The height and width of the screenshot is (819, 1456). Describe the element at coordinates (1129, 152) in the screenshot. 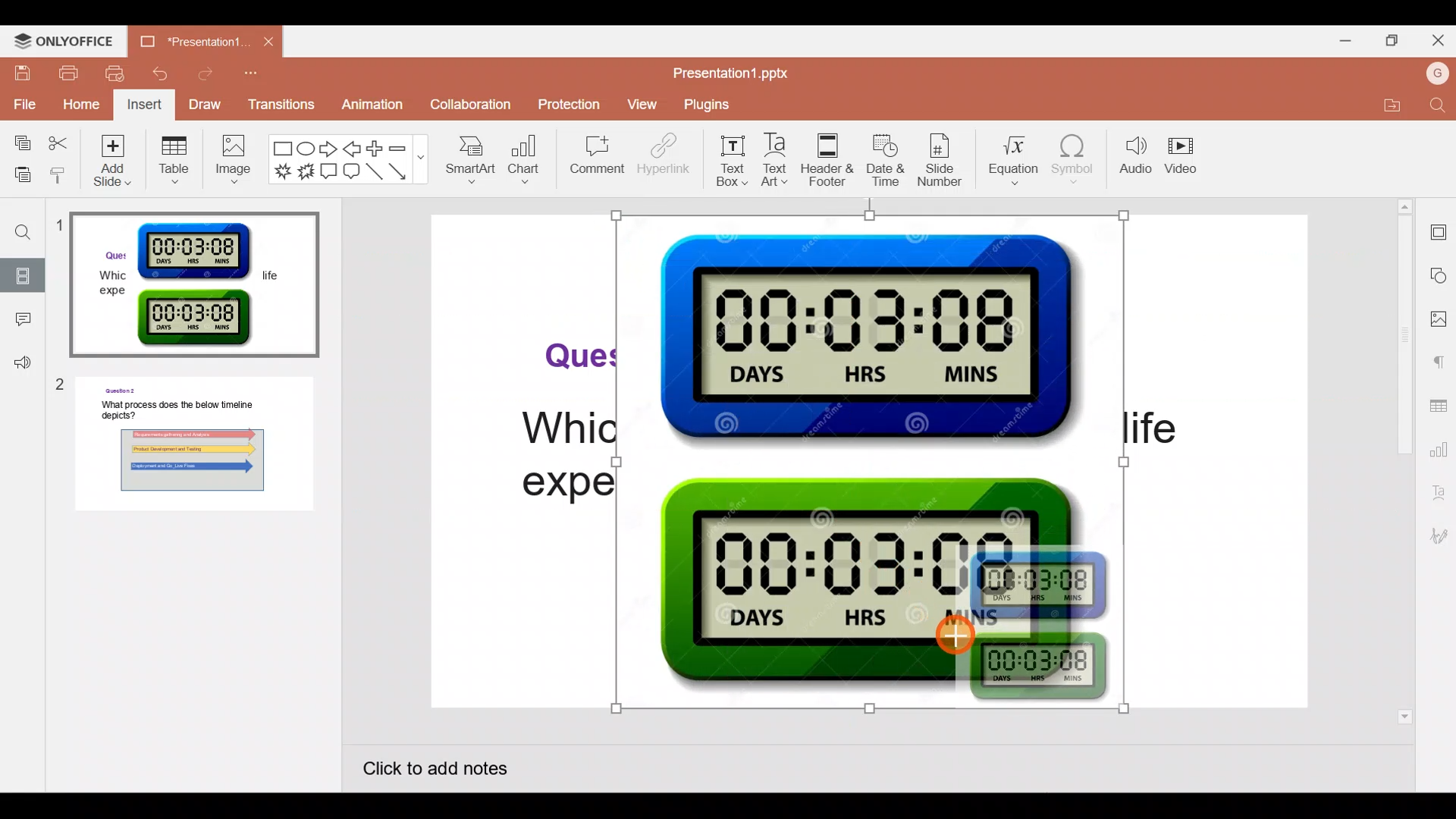

I see `Audio` at that location.